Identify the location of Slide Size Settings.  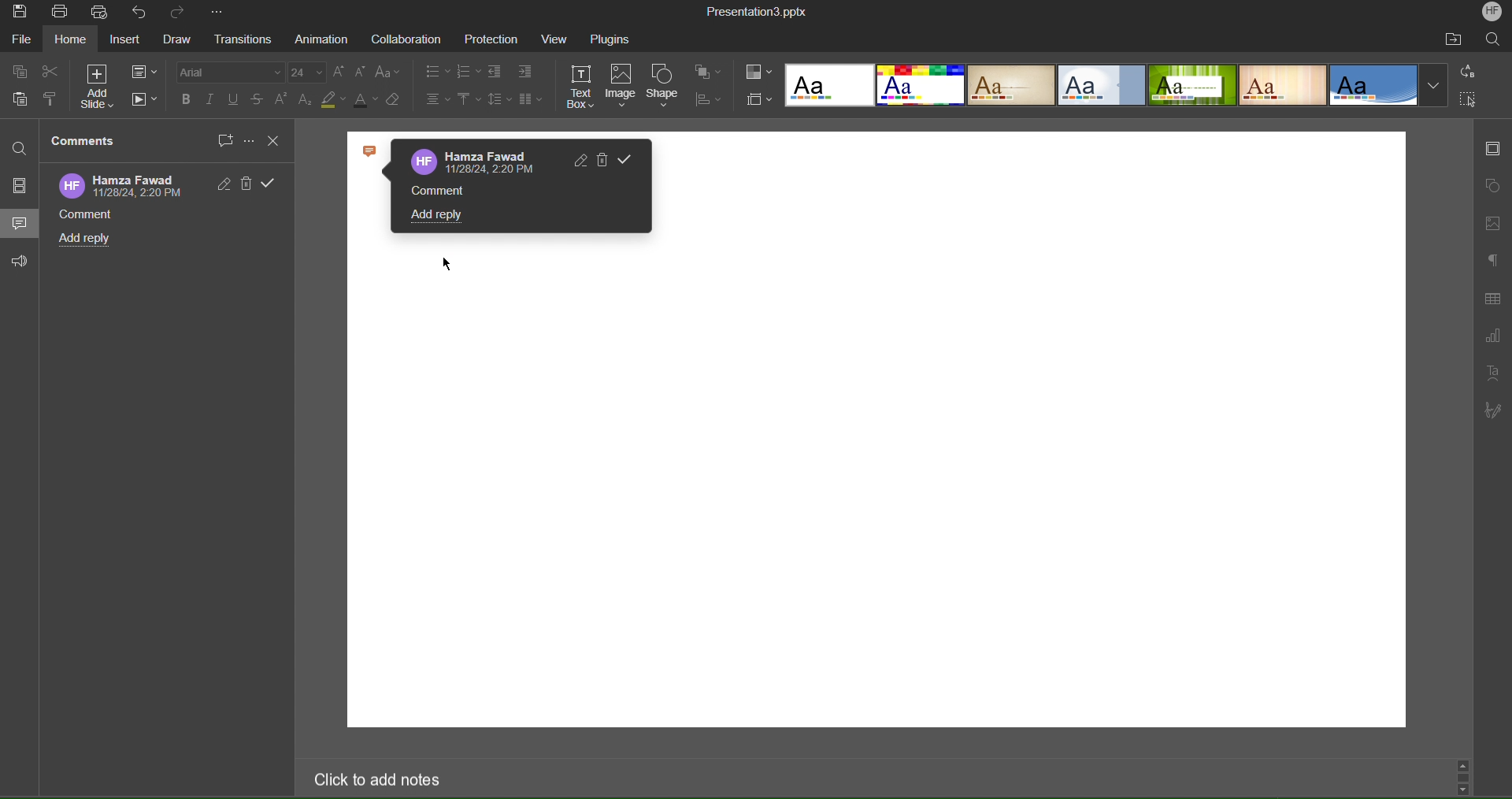
(759, 100).